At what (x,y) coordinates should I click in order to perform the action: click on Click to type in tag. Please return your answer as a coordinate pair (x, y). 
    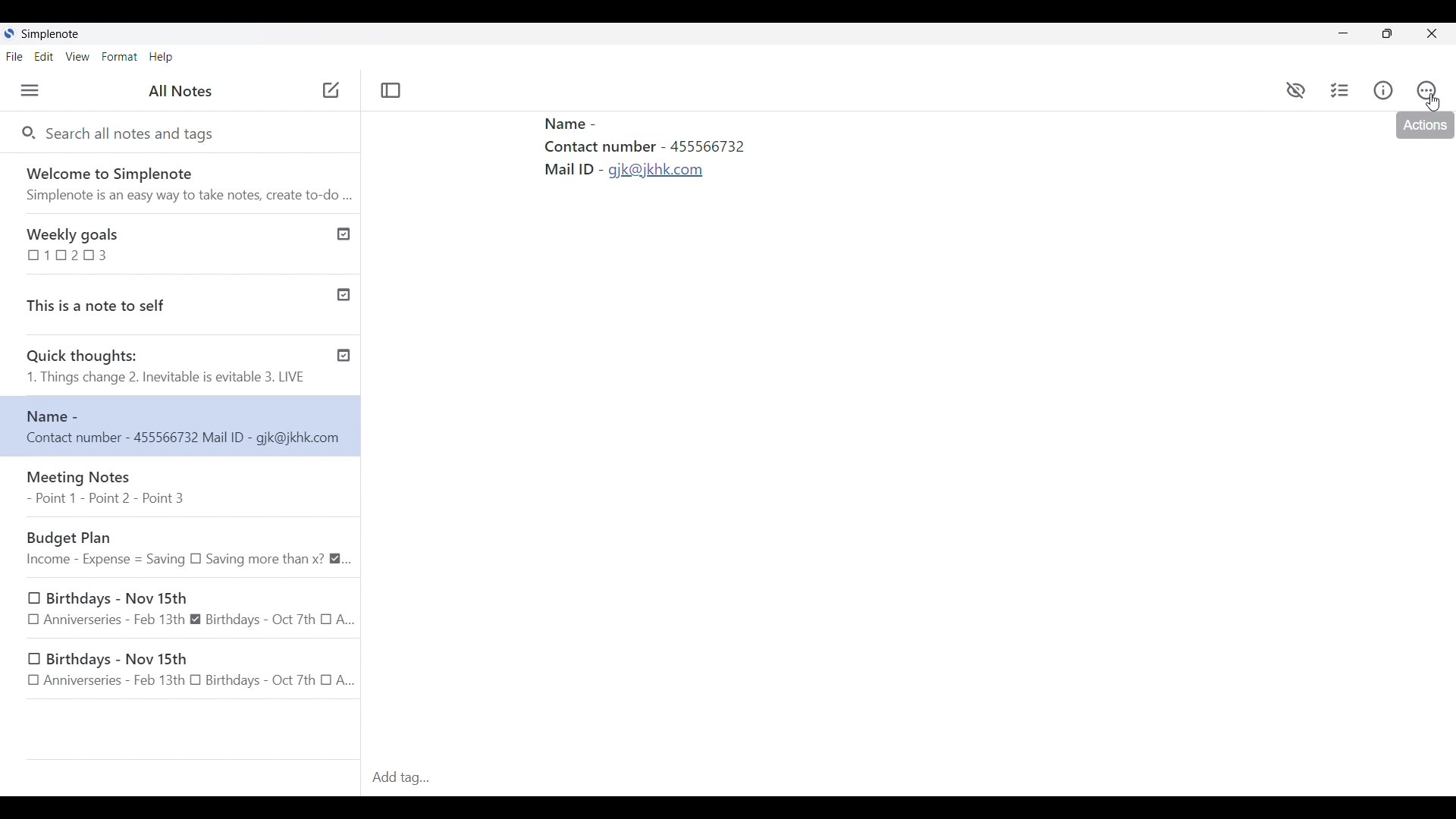
    Looking at the image, I should click on (910, 778).